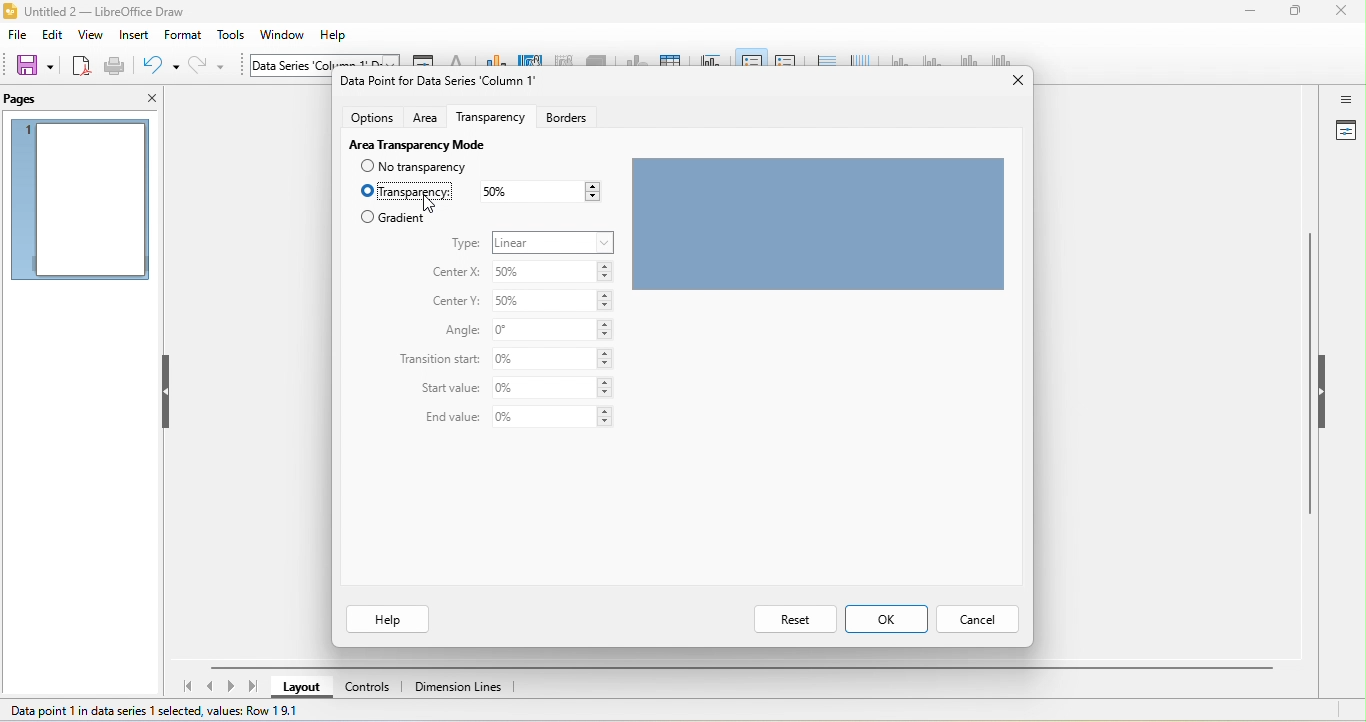  Describe the element at coordinates (366, 191) in the screenshot. I see `enable checkbox` at that location.